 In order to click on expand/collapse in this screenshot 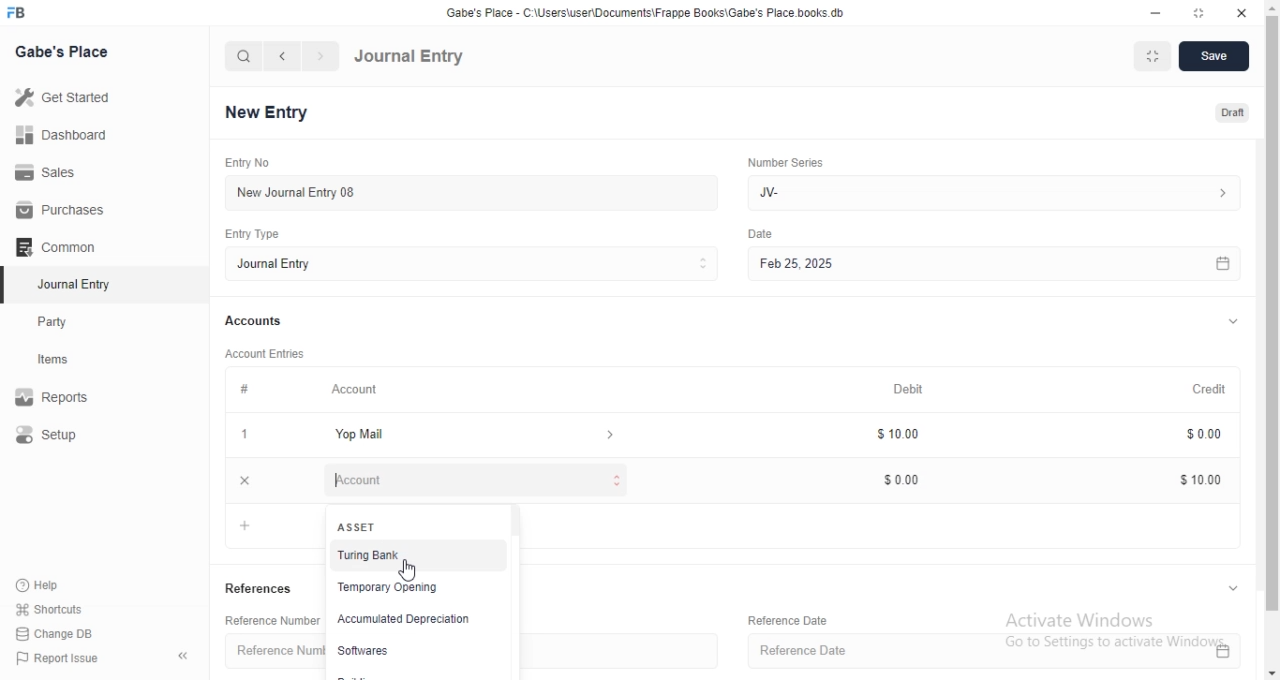, I will do `click(1232, 590)`.